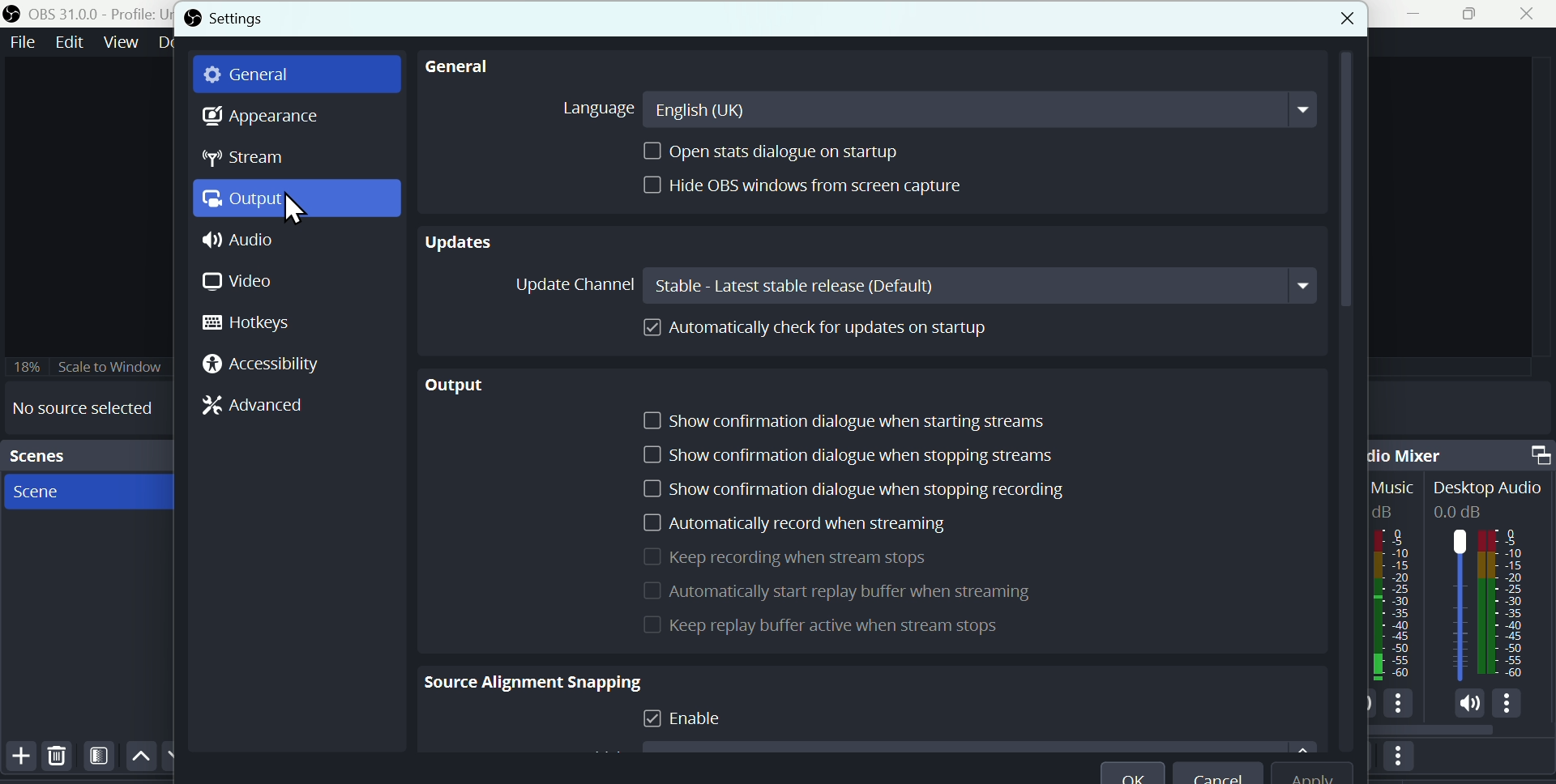  What do you see at coordinates (1460, 607) in the screenshot?
I see `Audiobar` at bounding box center [1460, 607].